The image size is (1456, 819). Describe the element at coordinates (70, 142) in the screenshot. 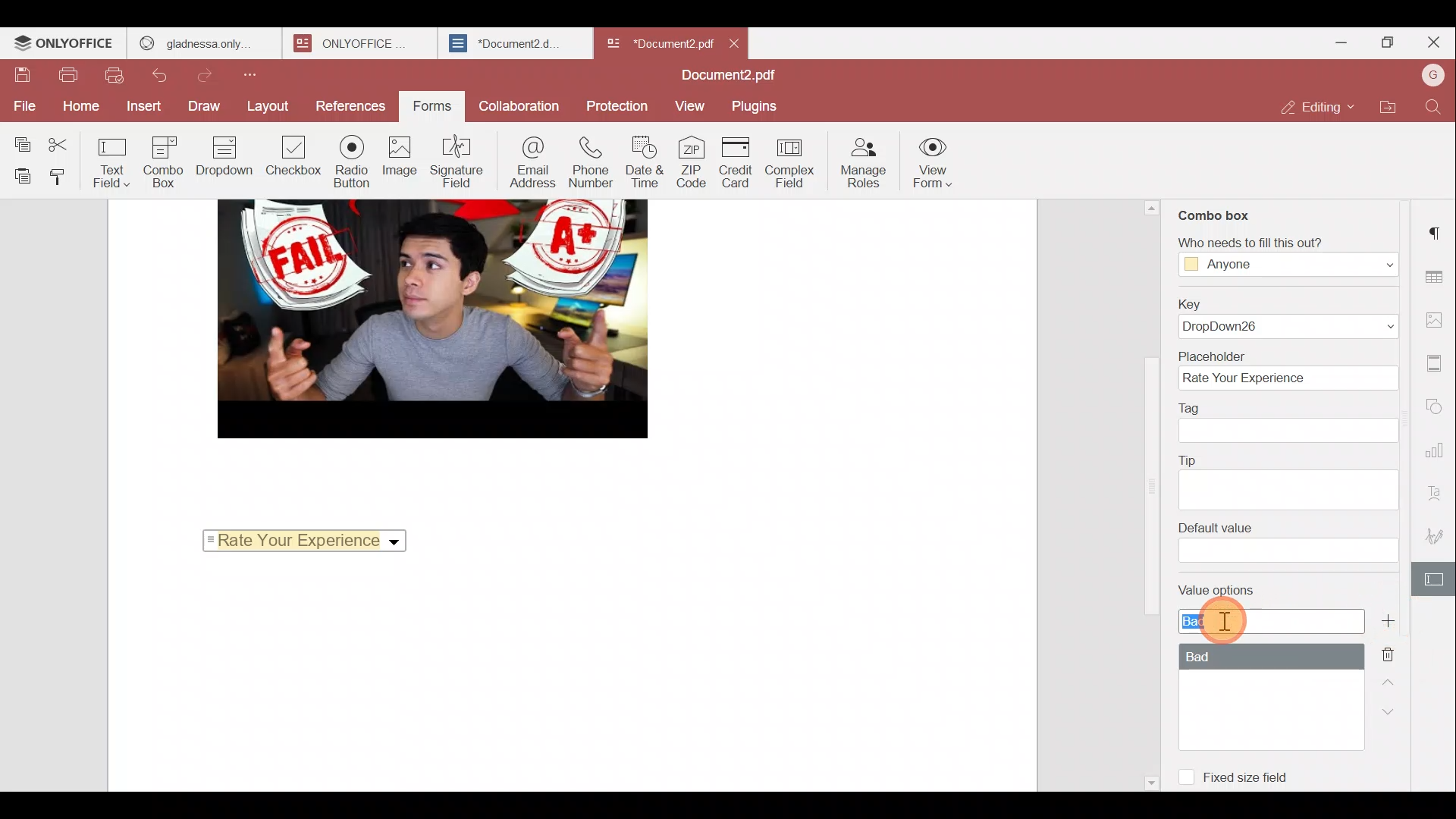

I see `Cut` at that location.